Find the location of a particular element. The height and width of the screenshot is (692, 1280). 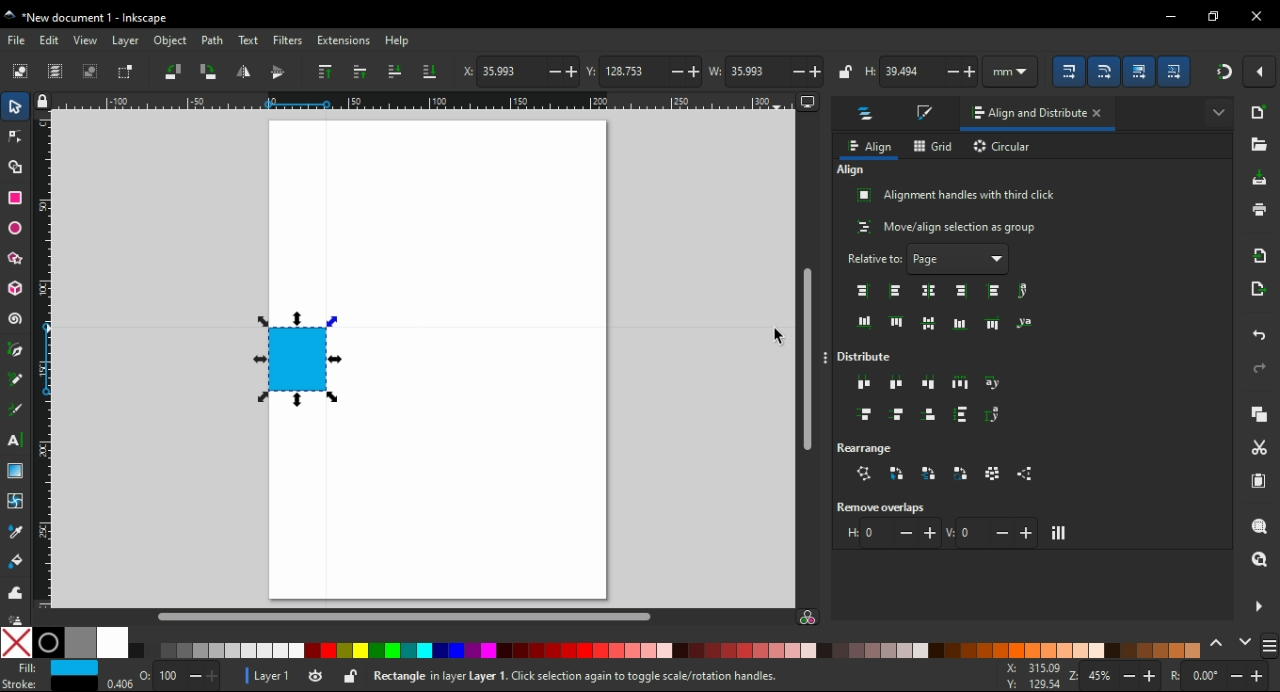

units is located at coordinates (1010, 71).